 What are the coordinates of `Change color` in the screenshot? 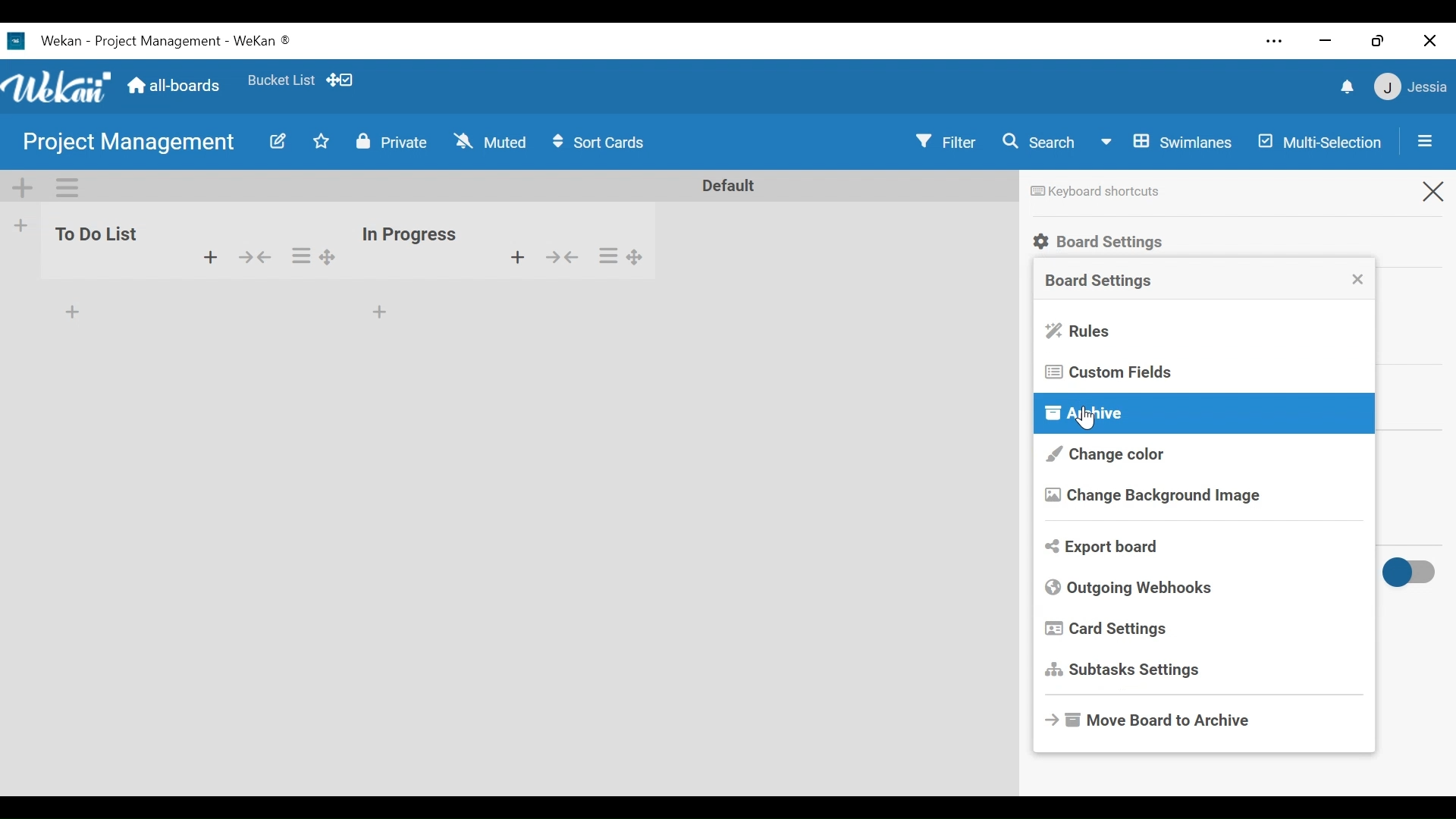 It's located at (1109, 456).